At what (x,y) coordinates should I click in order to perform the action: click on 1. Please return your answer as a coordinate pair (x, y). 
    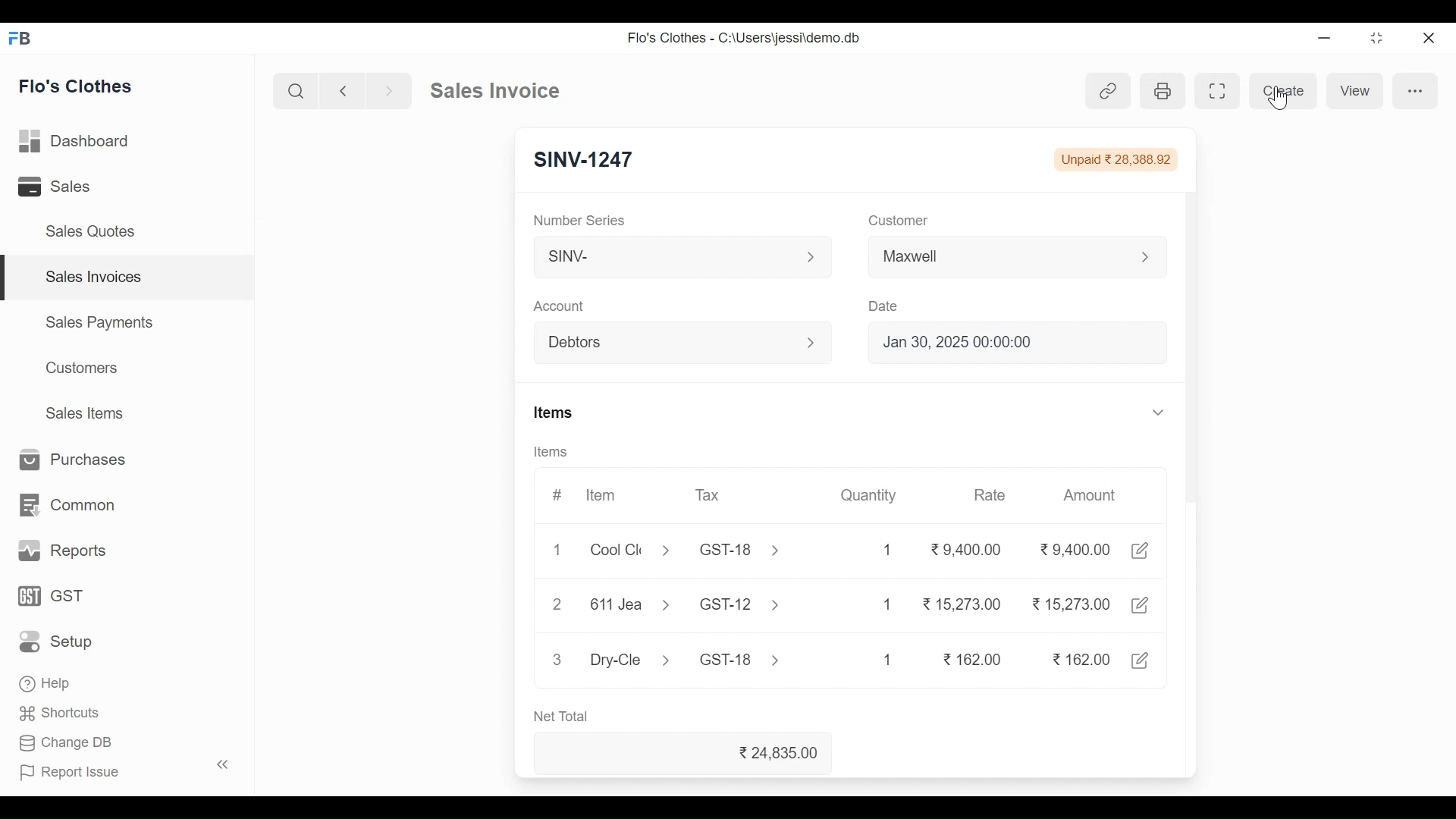
    Looking at the image, I should click on (890, 548).